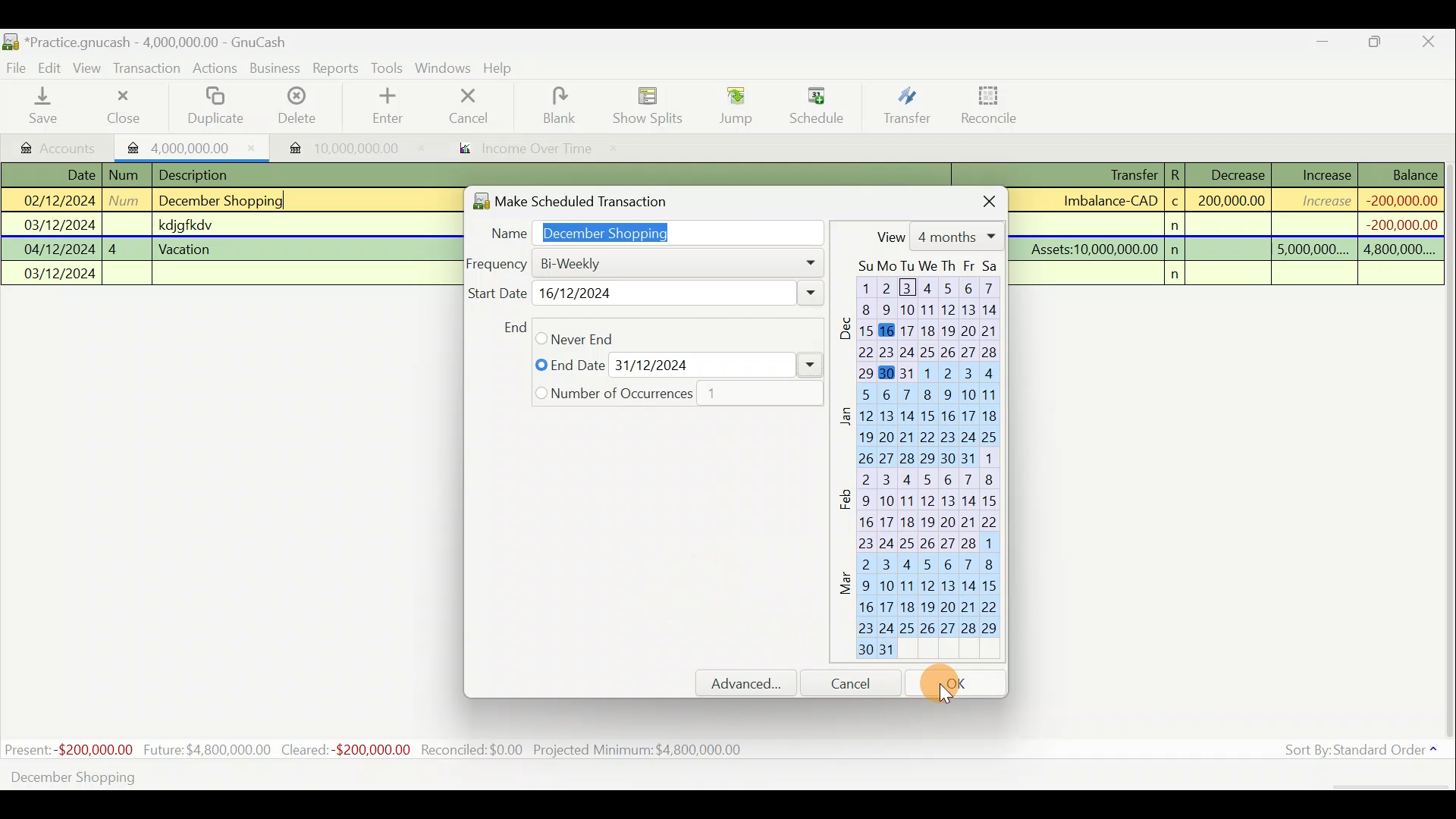 The height and width of the screenshot is (819, 1456). I want to click on Blank, so click(557, 106).